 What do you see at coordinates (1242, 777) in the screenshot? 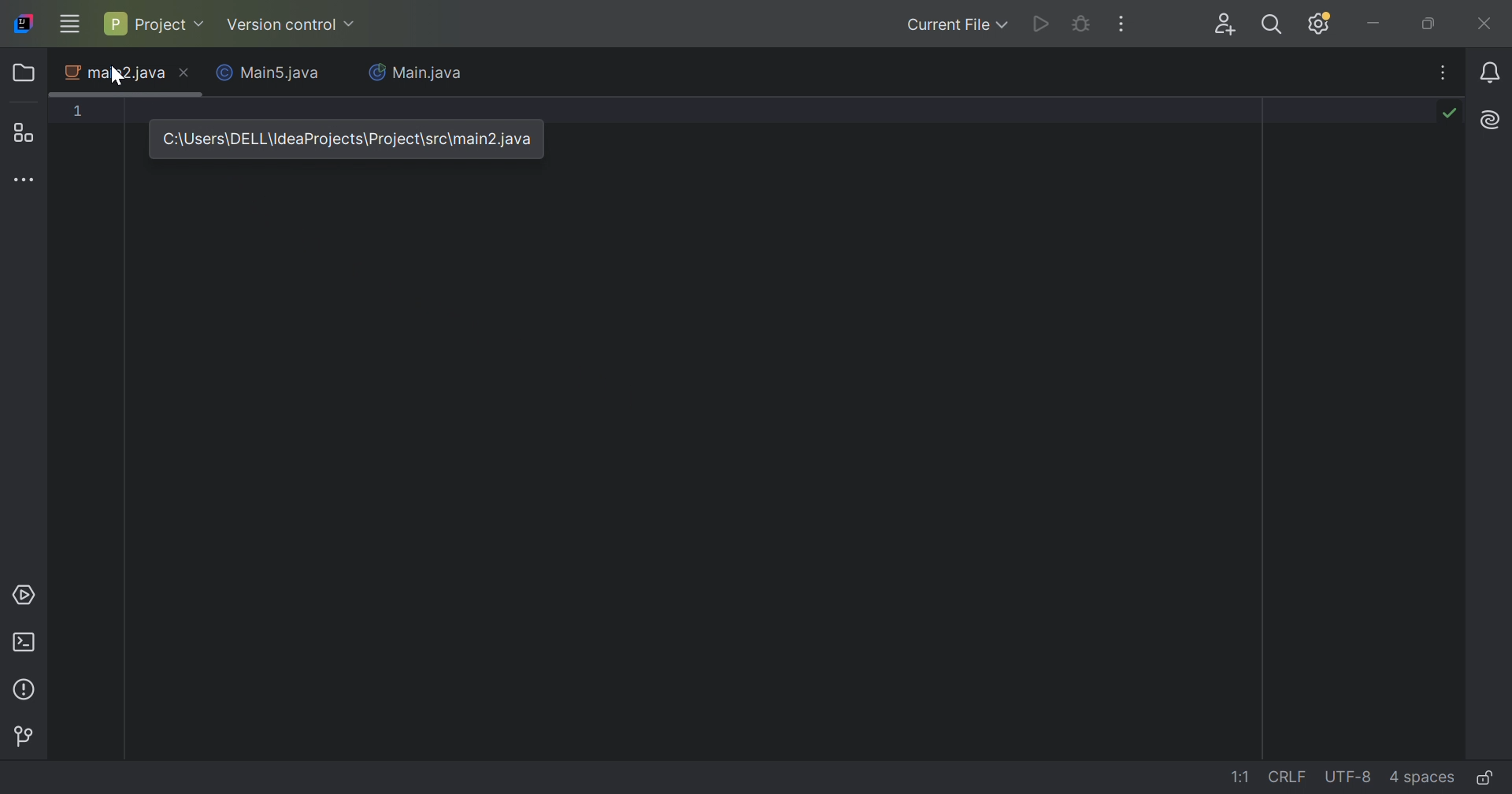
I see `go to line` at bounding box center [1242, 777].